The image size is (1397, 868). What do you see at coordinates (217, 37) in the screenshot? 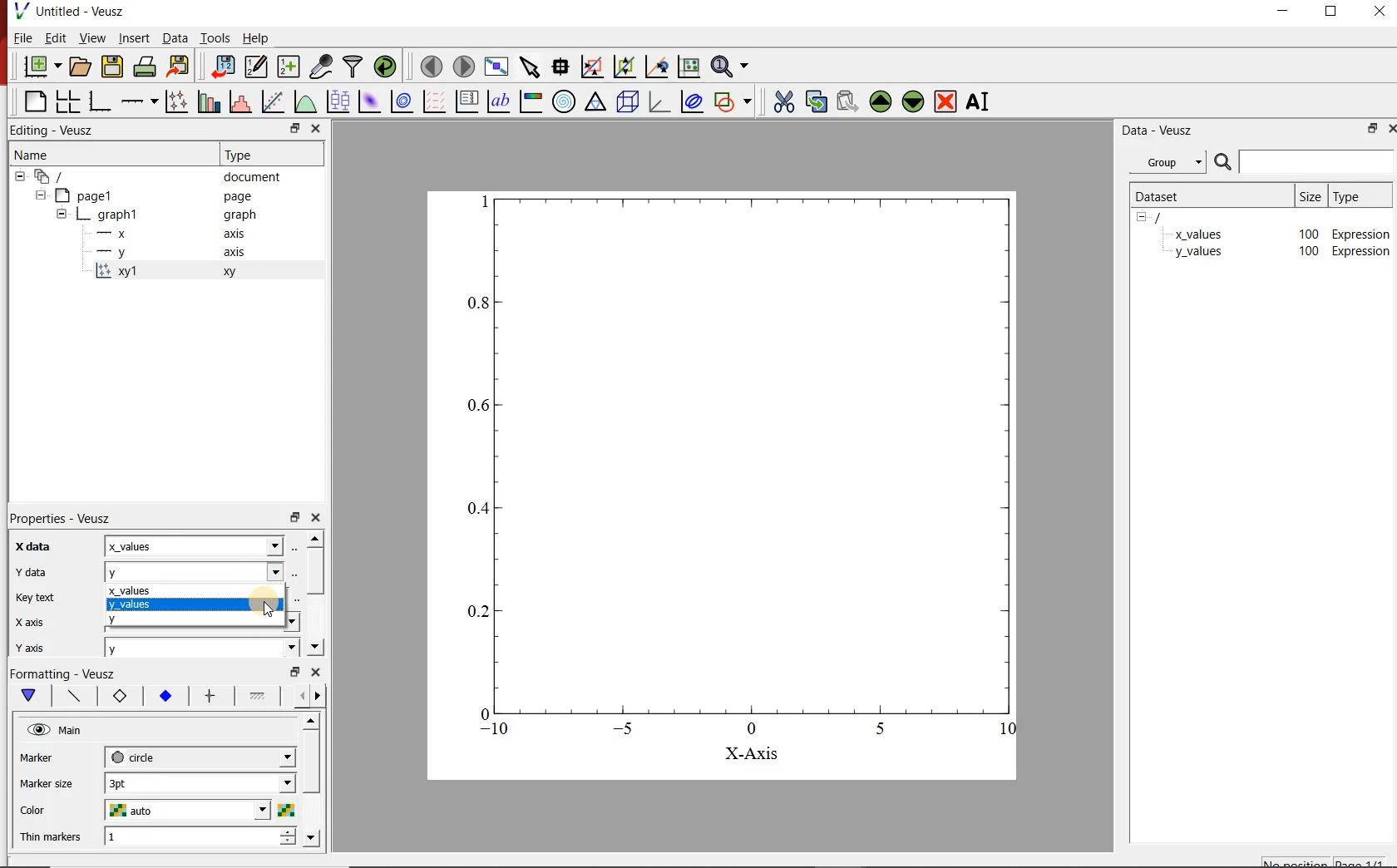
I see `tools` at bounding box center [217, 37].